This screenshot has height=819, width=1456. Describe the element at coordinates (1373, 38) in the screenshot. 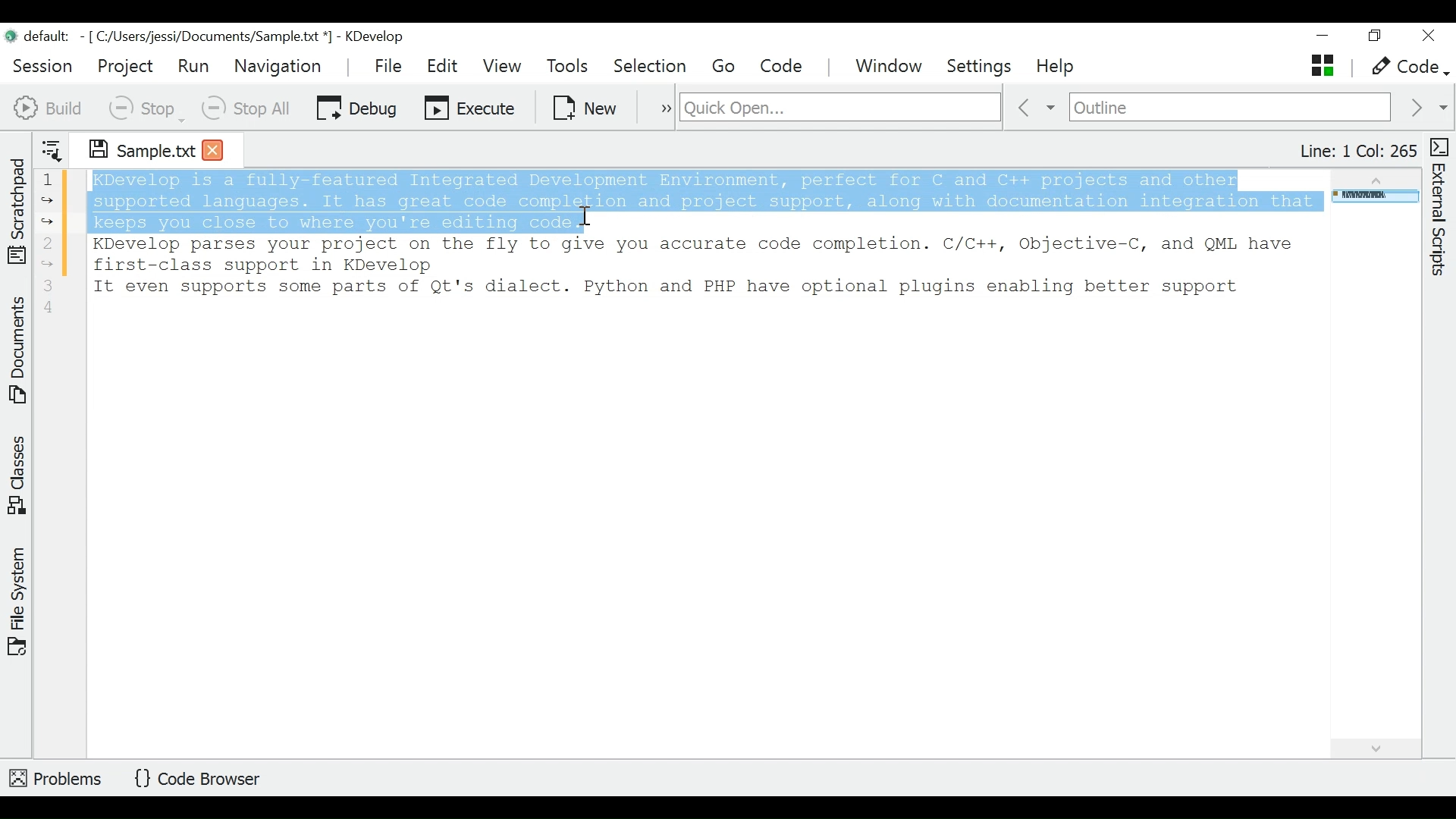

I see `Restore` at that location.